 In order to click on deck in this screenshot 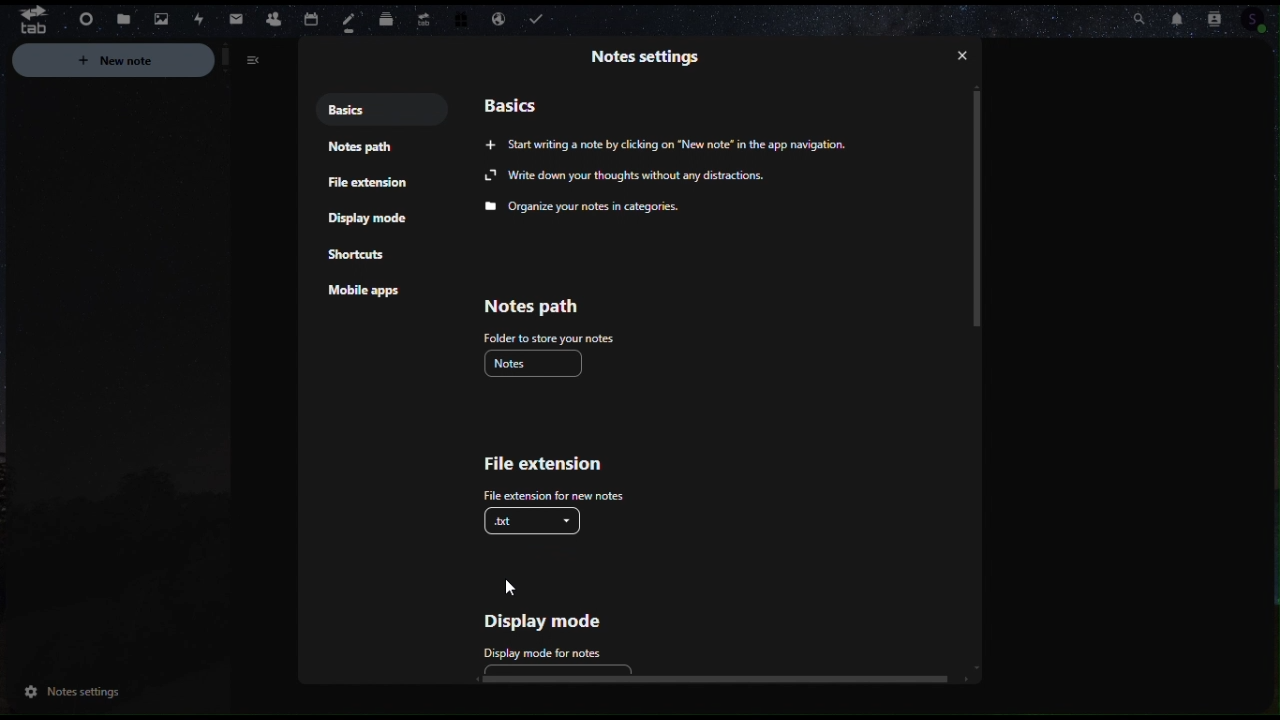, I will do `click(387, 16)`.